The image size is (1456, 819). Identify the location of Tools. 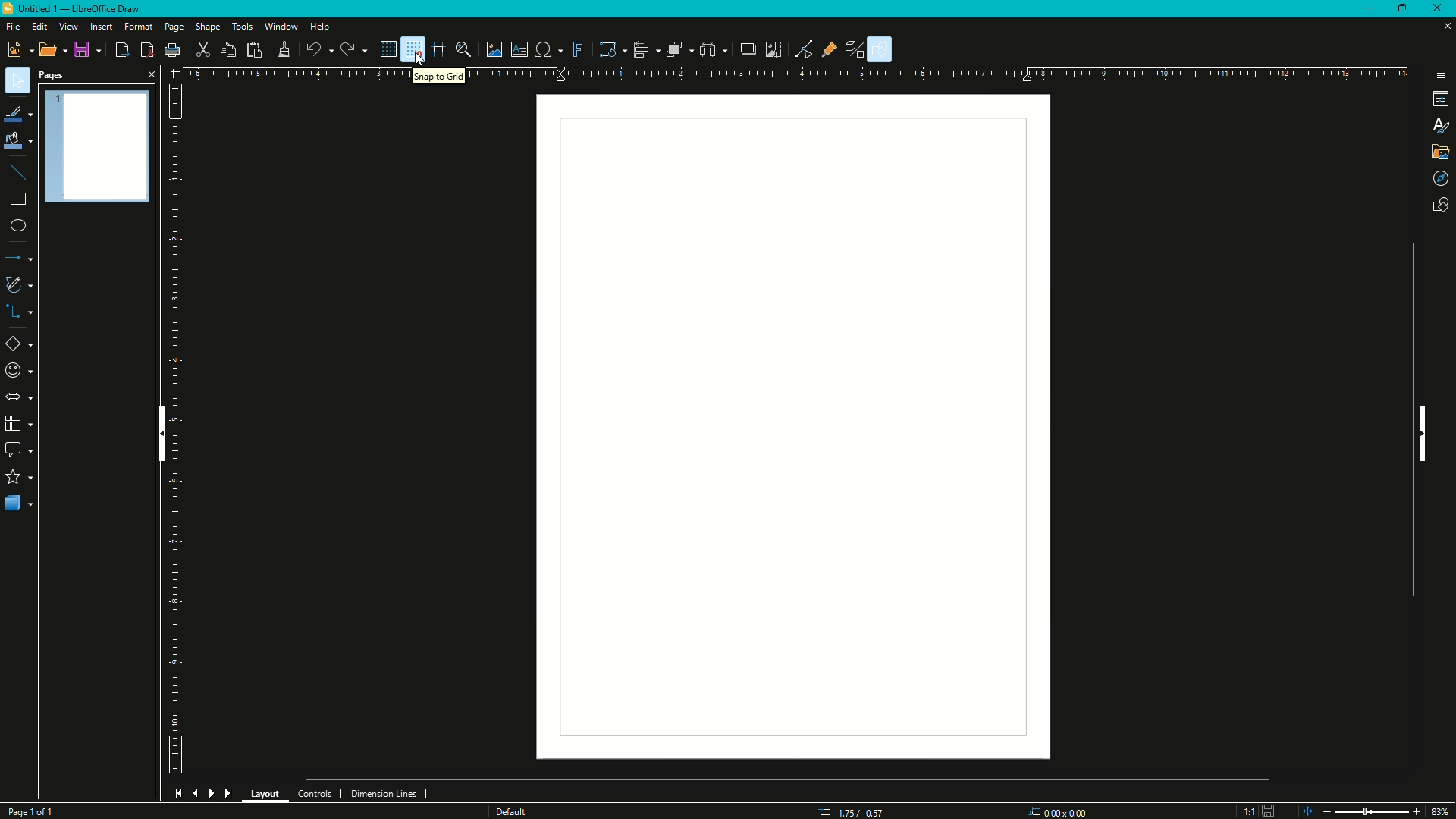
(243, 25).